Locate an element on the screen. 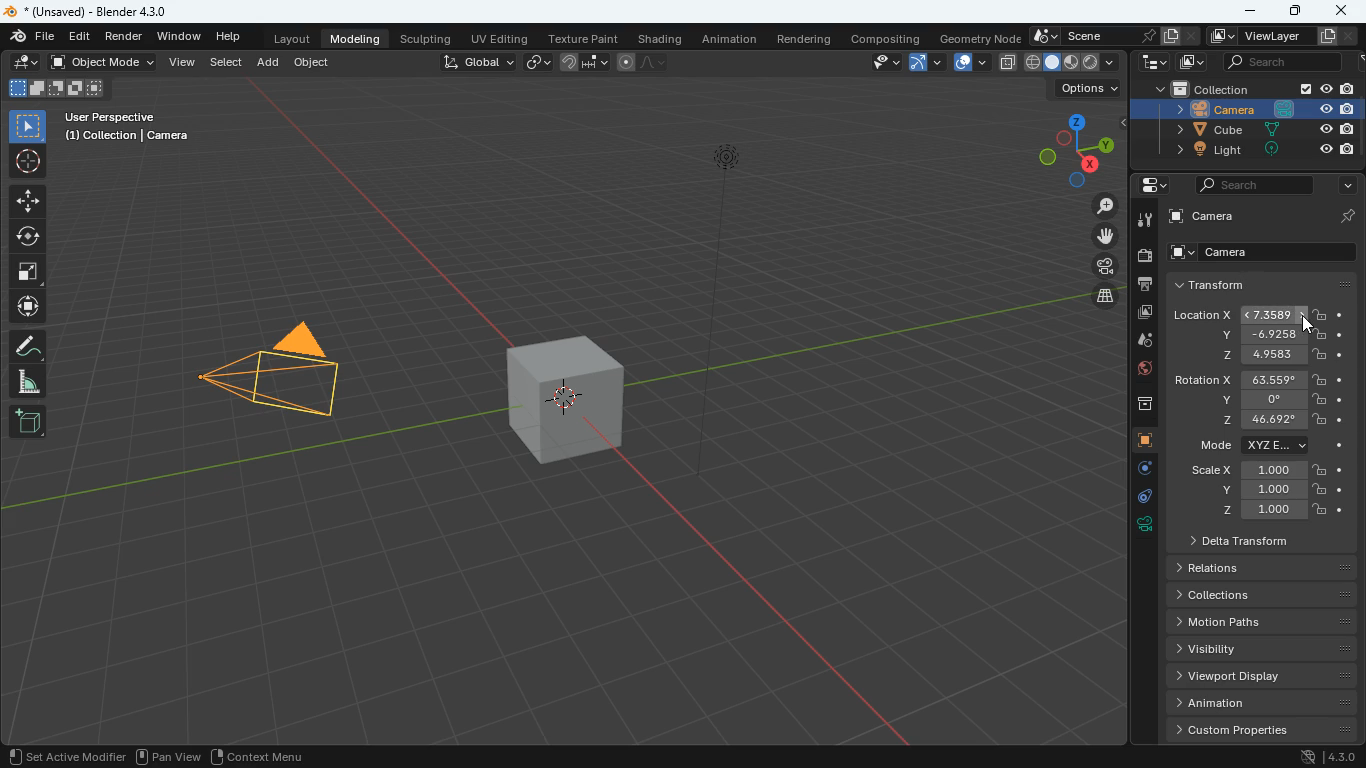 This screenshot has height=768, width=1366. rotation x is located at coordinates (1262, 379).